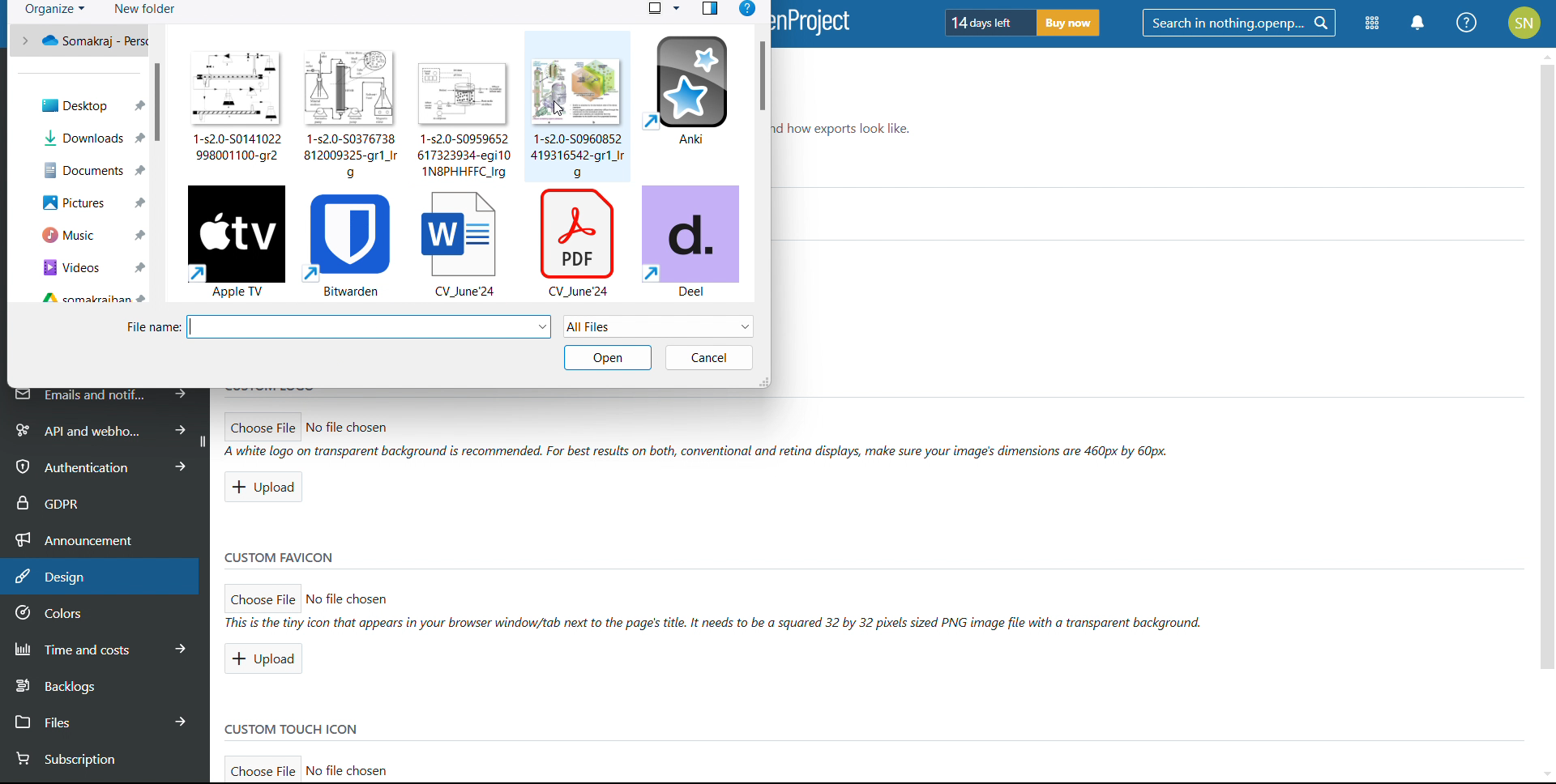 This screenshot has height=784, width=1556. What do you see at coordinates (1371, 24) in the screenshot?
I see `modules` at bounding box center [1371, 24].